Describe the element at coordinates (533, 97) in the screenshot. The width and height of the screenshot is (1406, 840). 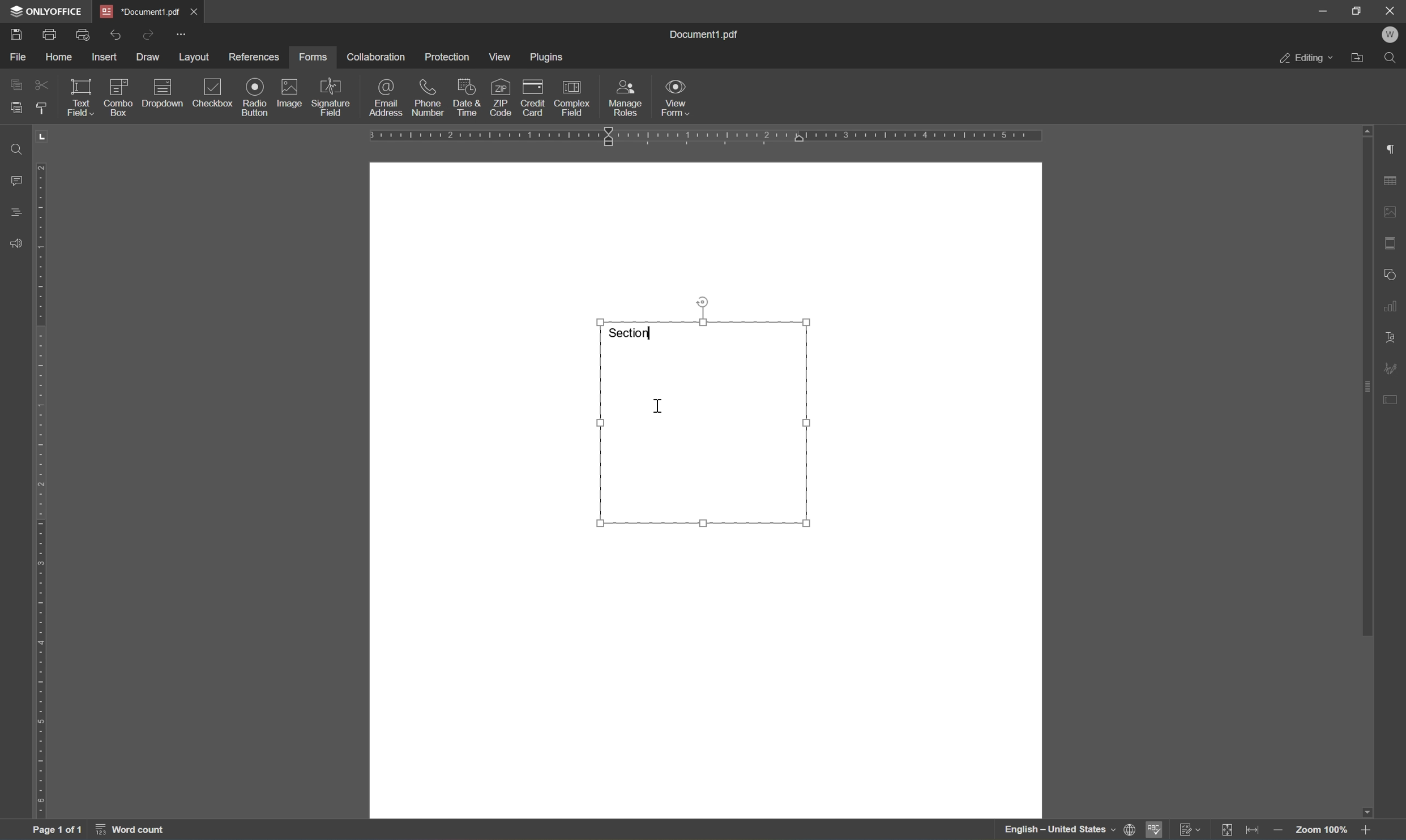
I see `credit card` at that location.